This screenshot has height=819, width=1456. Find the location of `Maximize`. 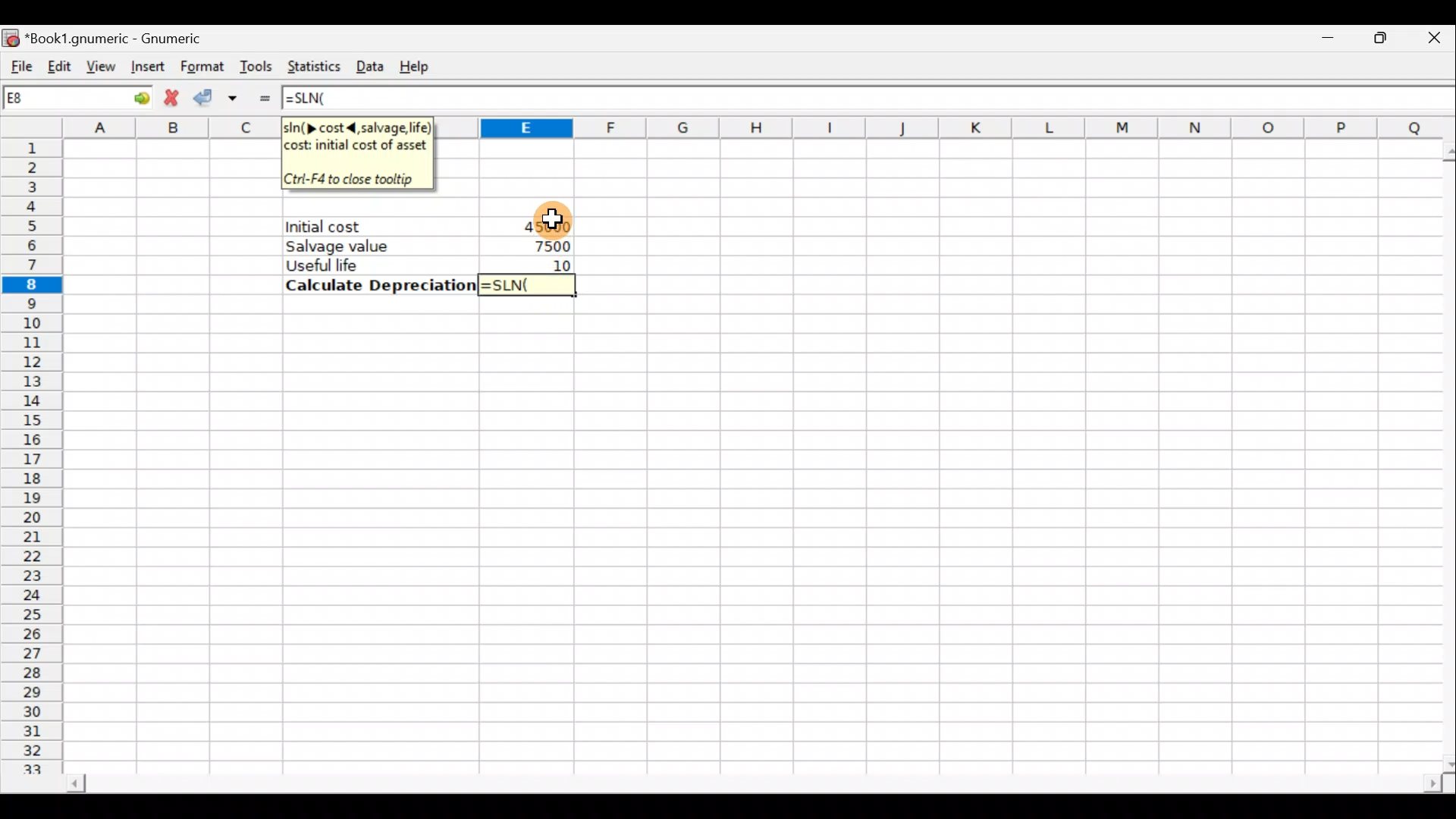

Maximize is located at coordinates (1373, 41).